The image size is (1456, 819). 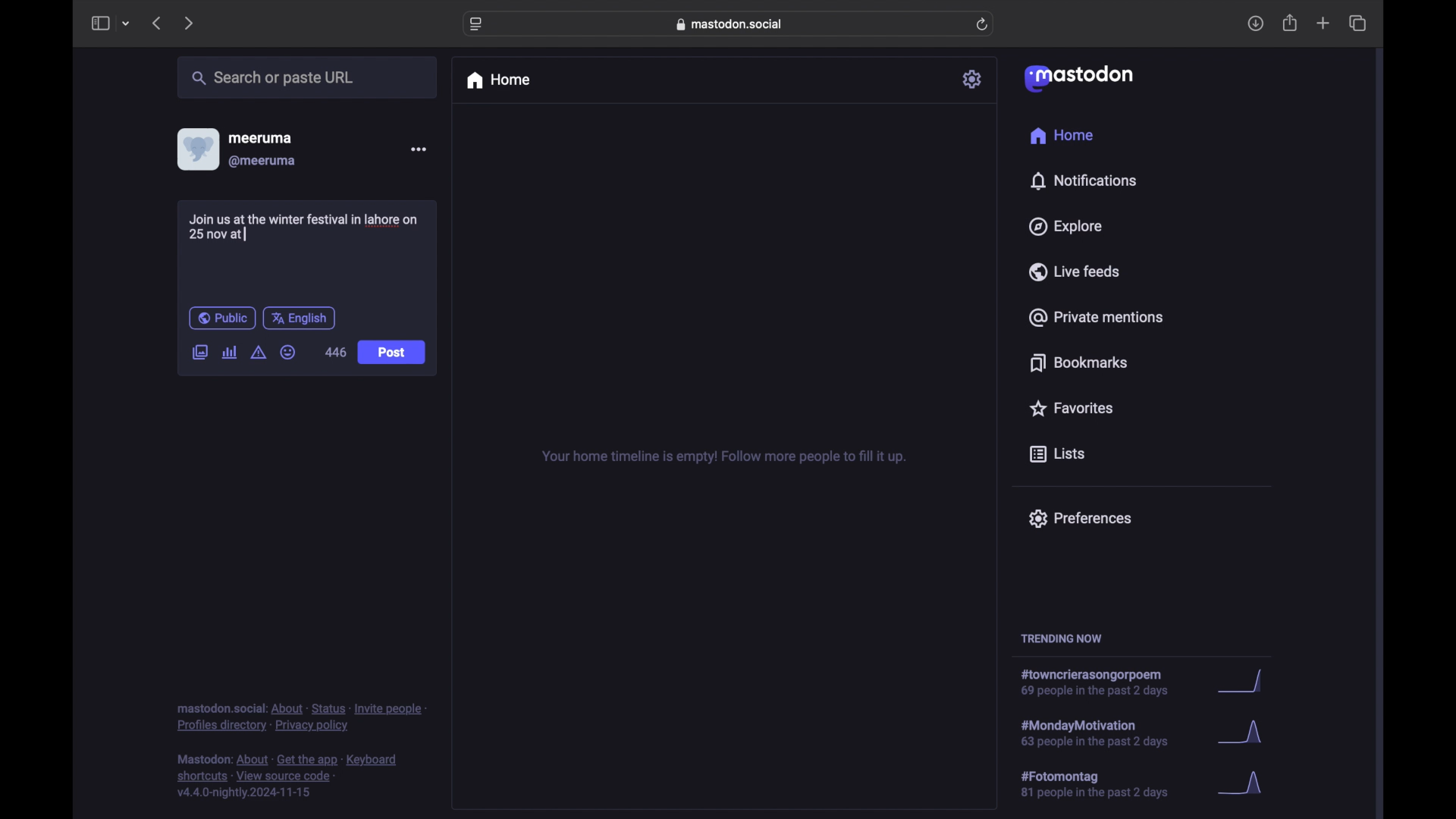 What do you see at coordinates (126, 24) in the screenshot?
I see `tab group picker` at bounding box center [126, 24].